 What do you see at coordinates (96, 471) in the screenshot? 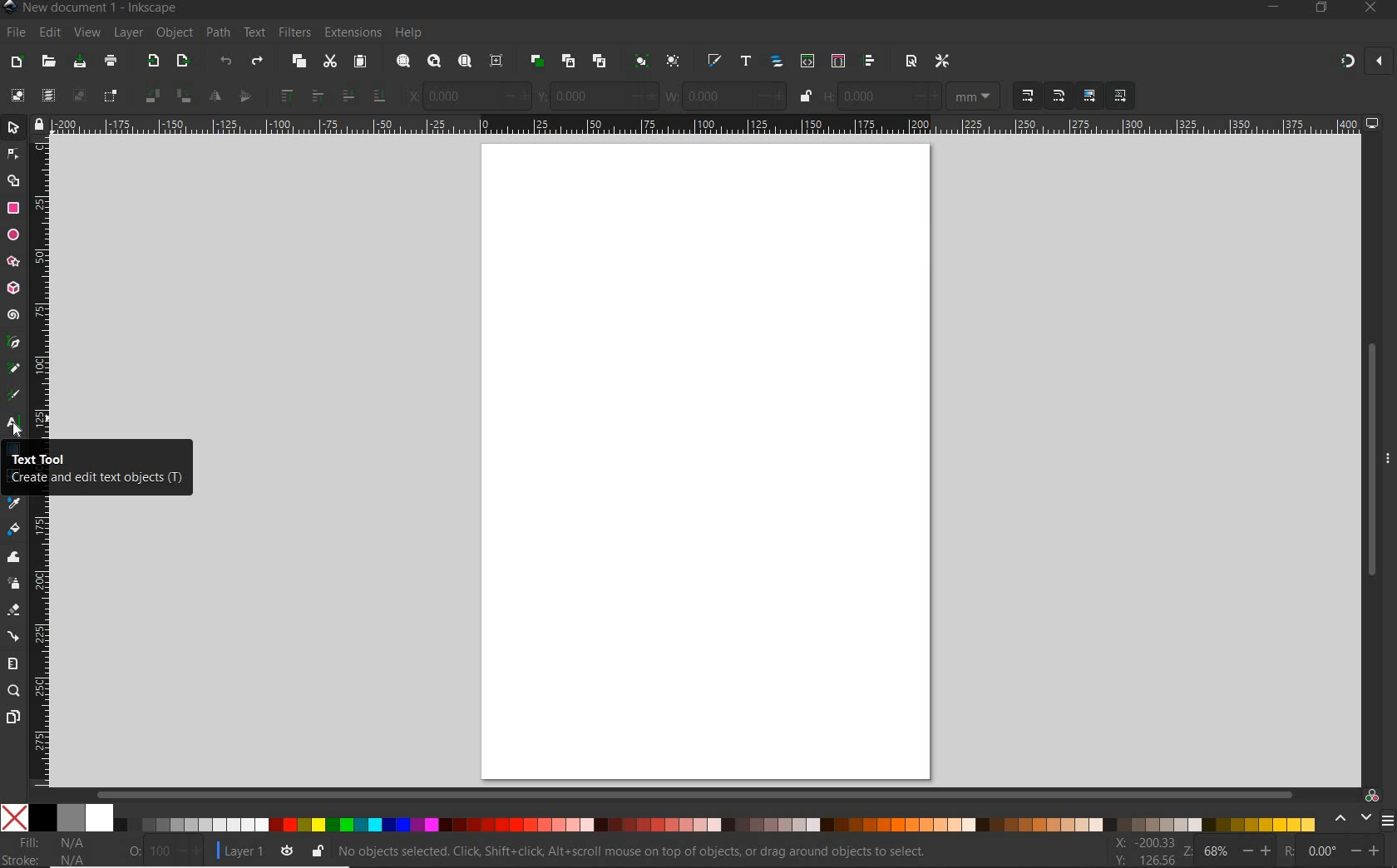
I see `text tool` at bounding box center [96, 471].